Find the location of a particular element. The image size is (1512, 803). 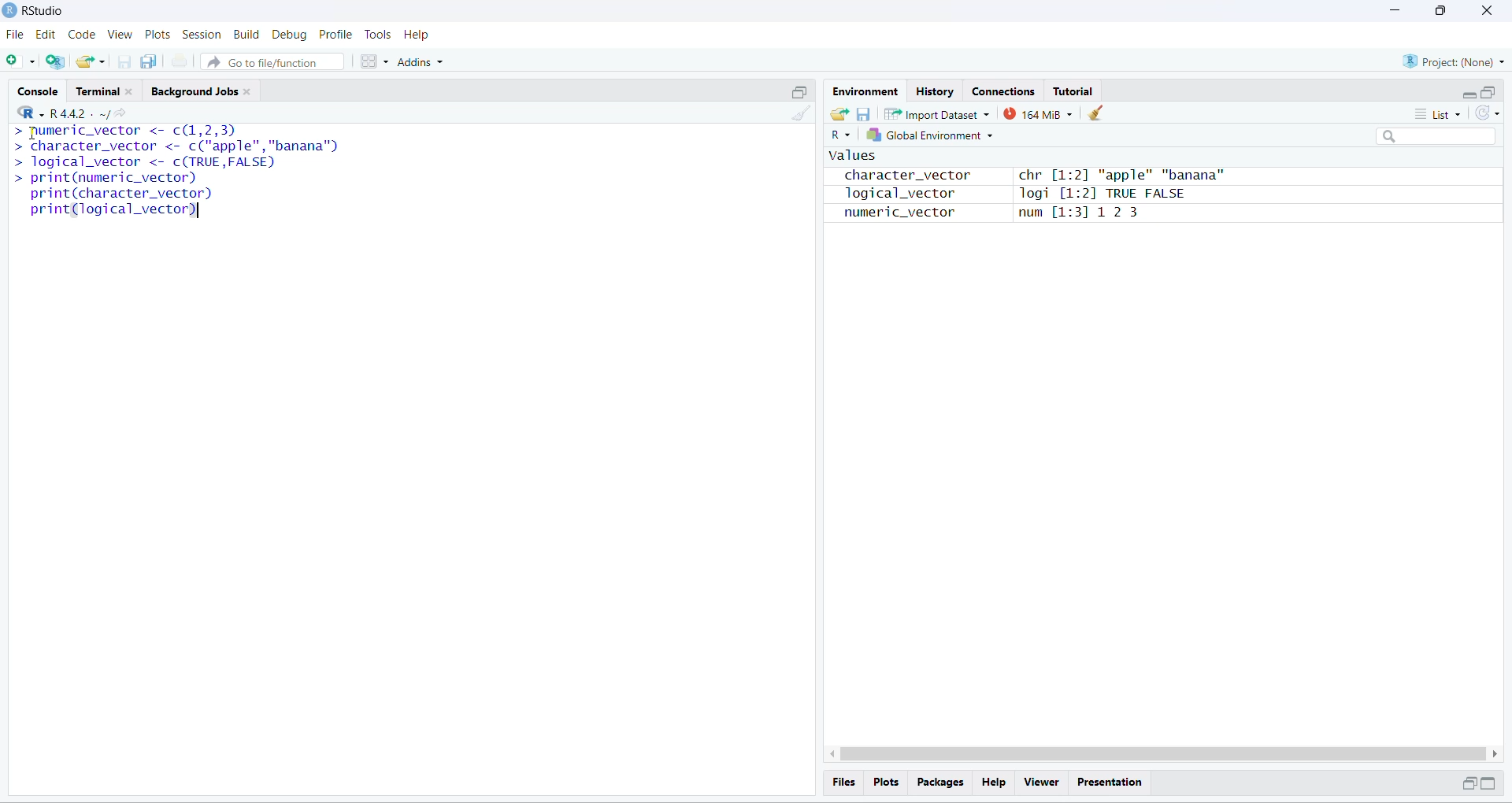

Addins is located at coordinates (421, 62).